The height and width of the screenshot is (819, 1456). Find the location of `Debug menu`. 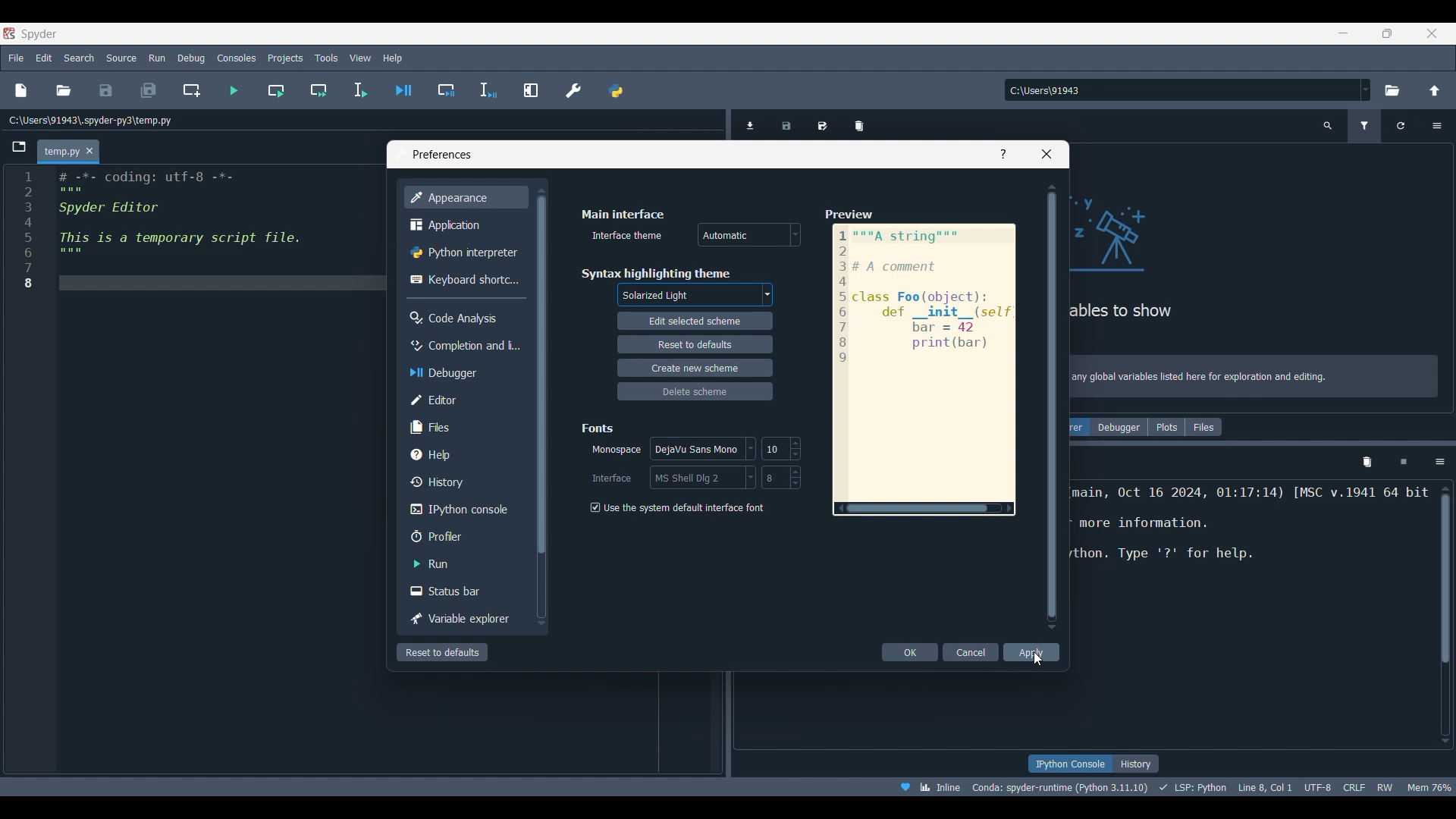

Debug menu is located at coordinates (191, 58).